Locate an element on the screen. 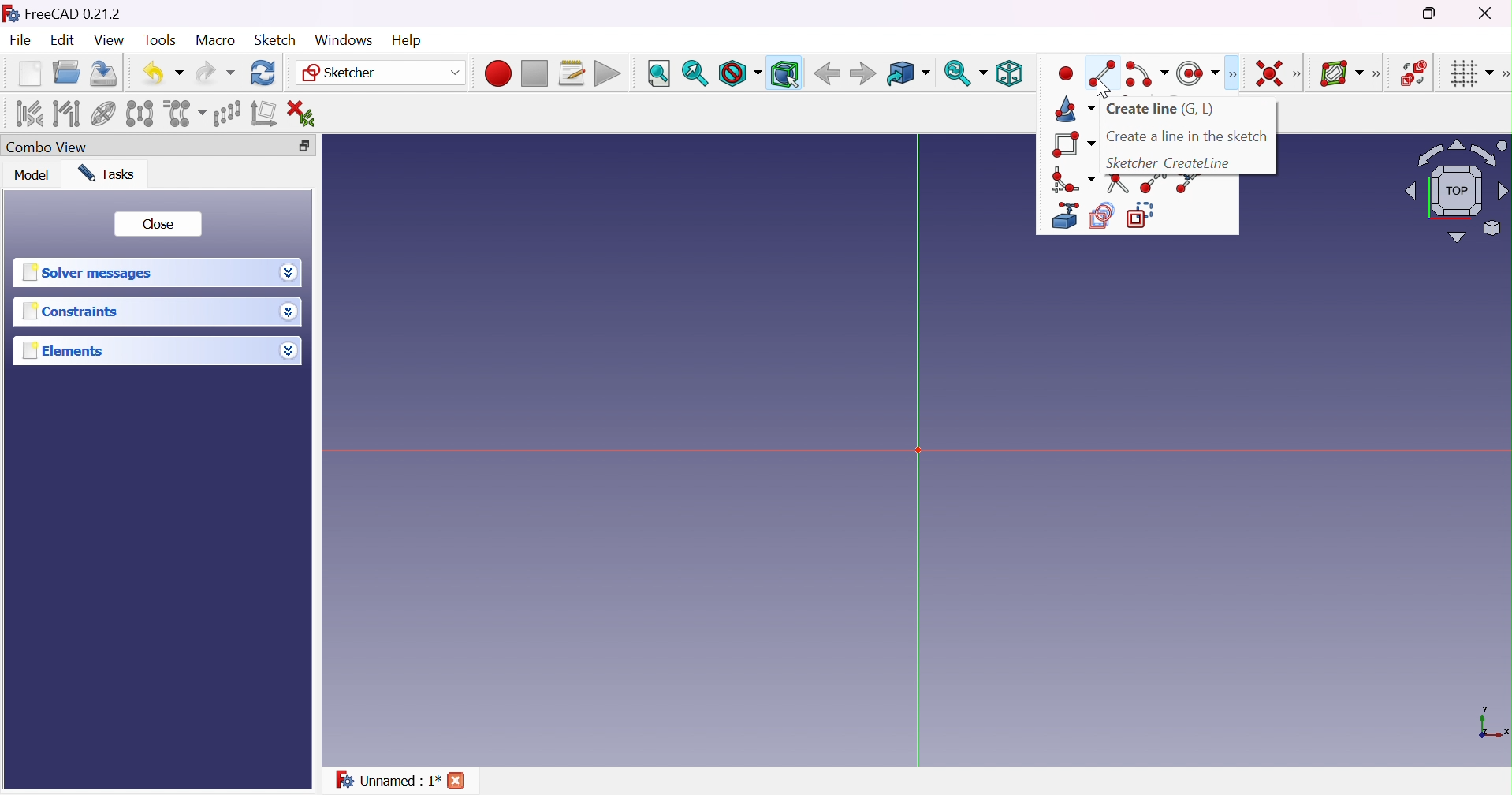 The height and width of the screenshot is (795, 1512). Redo is located at coordinates (214, 73).